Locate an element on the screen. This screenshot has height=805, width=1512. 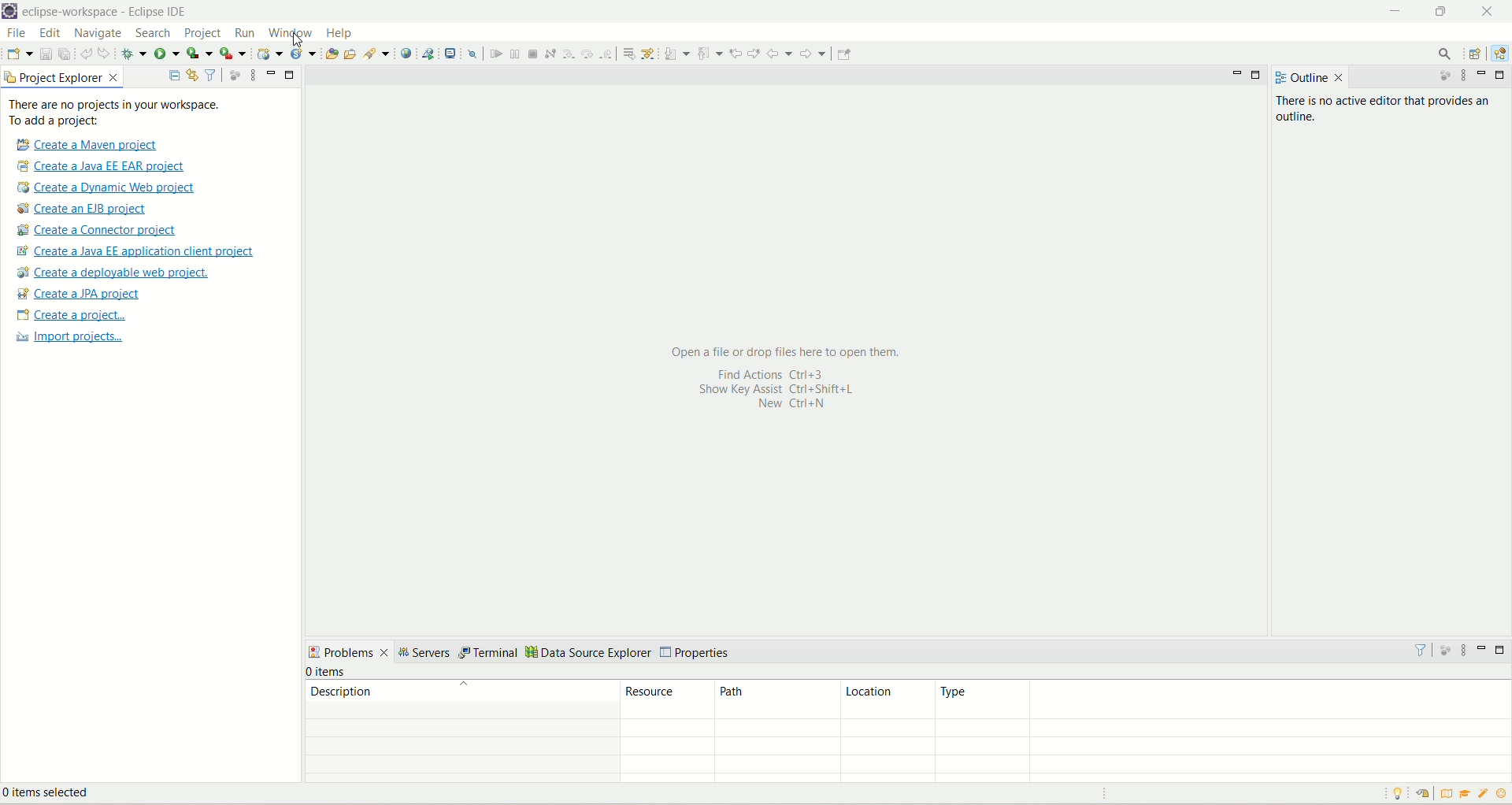
open task is located at coordinates (353, 55).